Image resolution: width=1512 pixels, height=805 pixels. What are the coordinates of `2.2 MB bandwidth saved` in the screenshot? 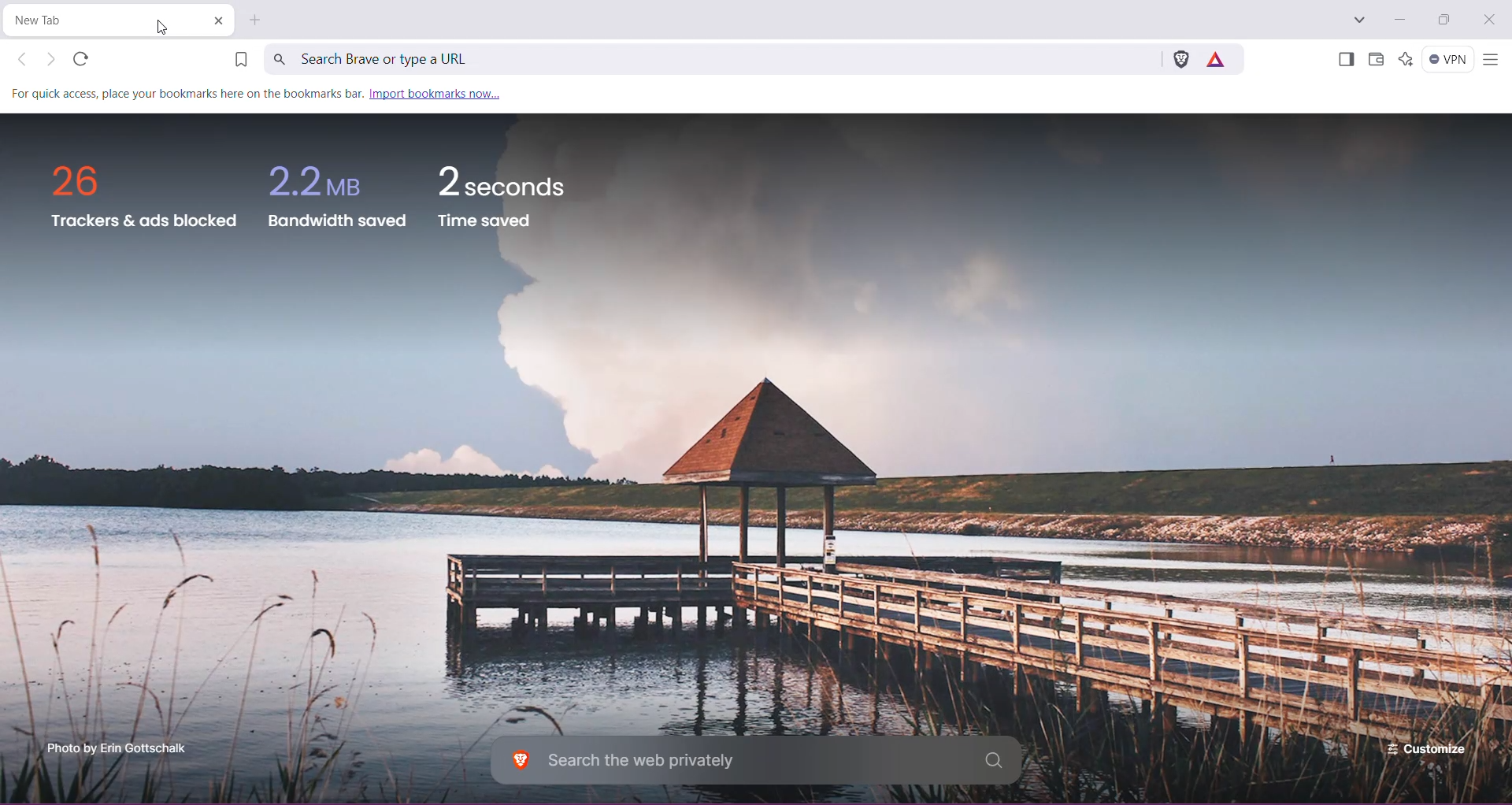 It's located at (339, 197).